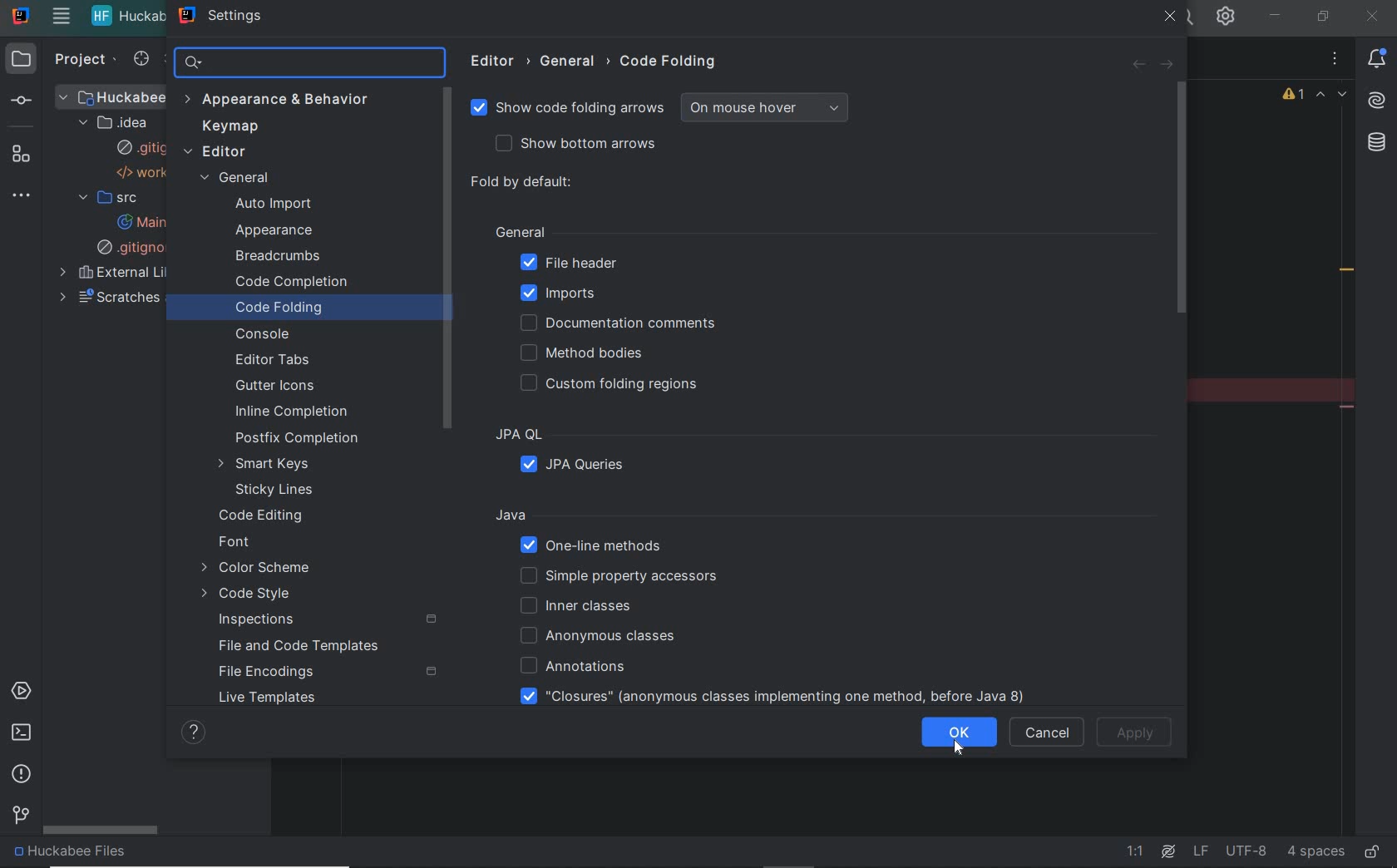  I want to click on keymap, so click(230, 128).